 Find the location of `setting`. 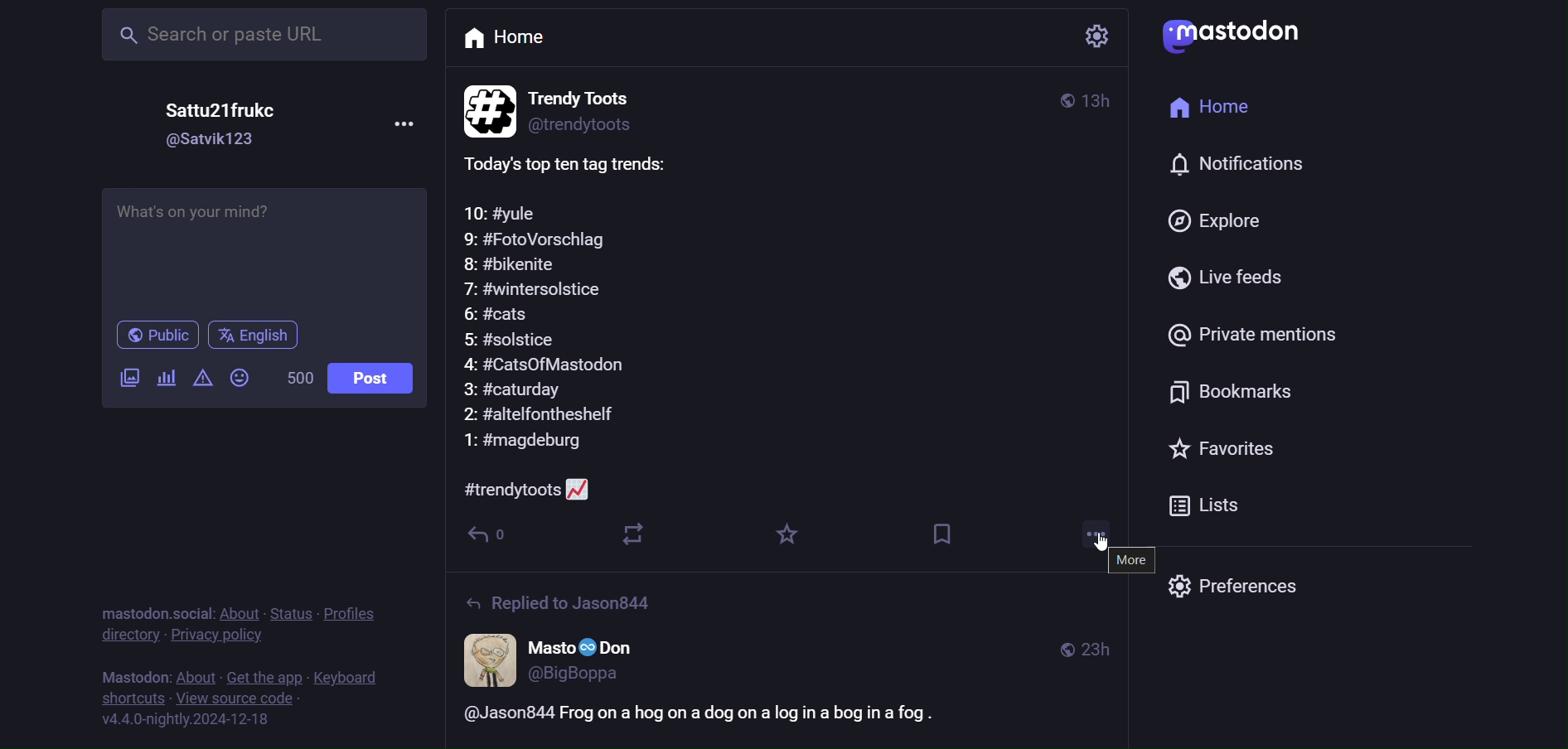

setting is located at coordinates (1094, 38).